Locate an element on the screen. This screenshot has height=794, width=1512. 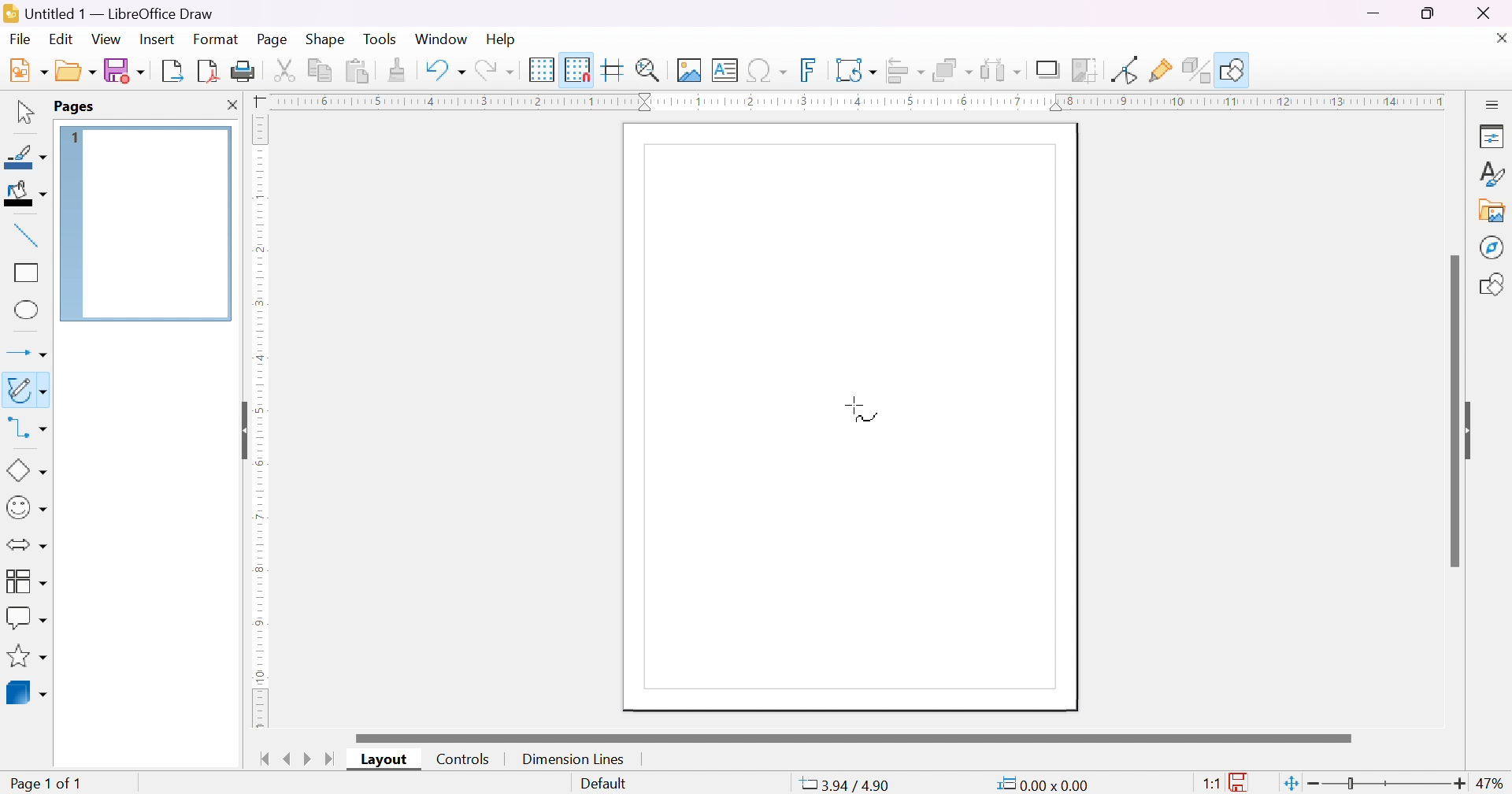
slide is located at coordinates (1473, 429).